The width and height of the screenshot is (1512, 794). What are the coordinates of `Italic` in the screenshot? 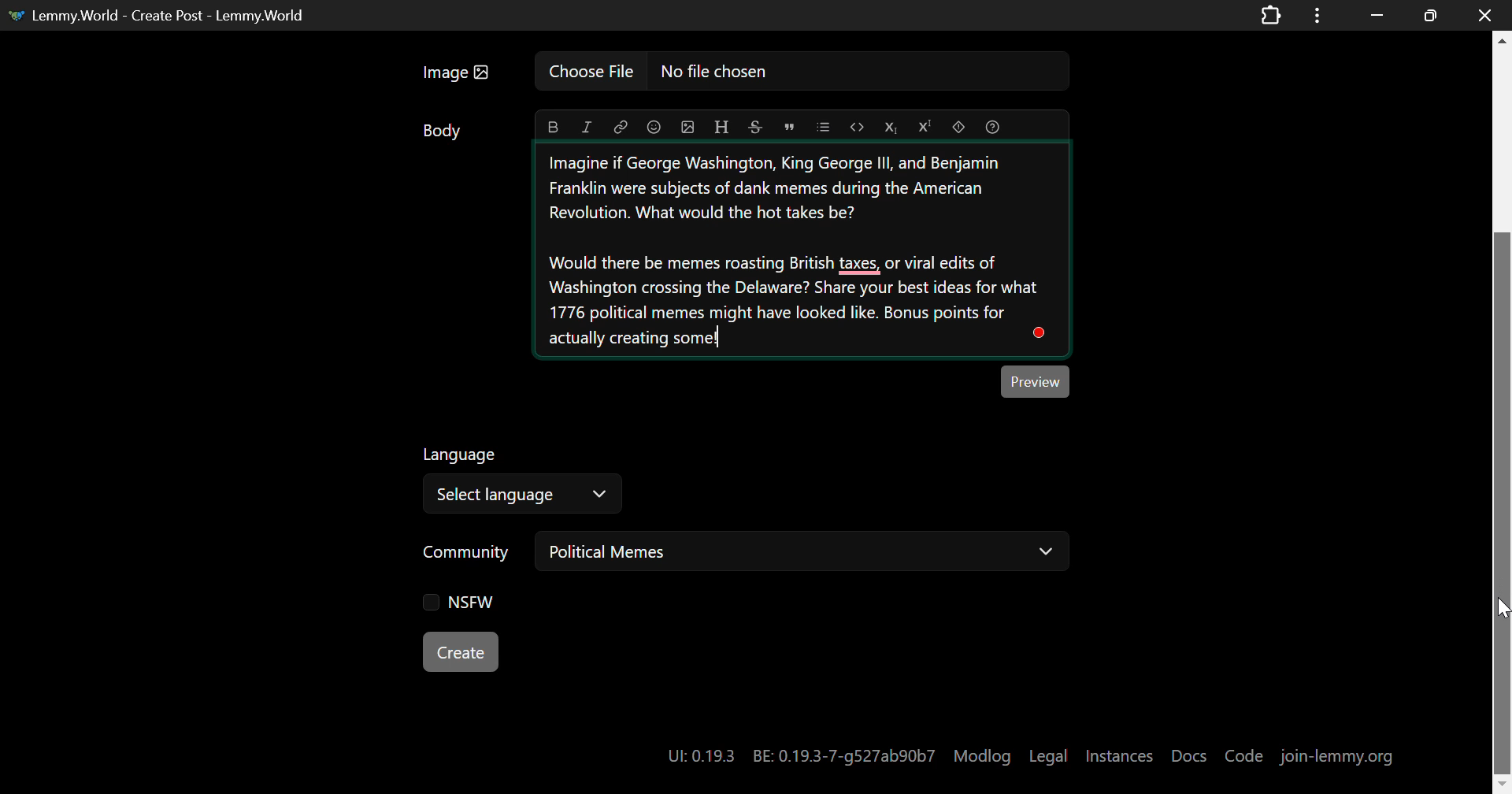 It's located at (586, 127).